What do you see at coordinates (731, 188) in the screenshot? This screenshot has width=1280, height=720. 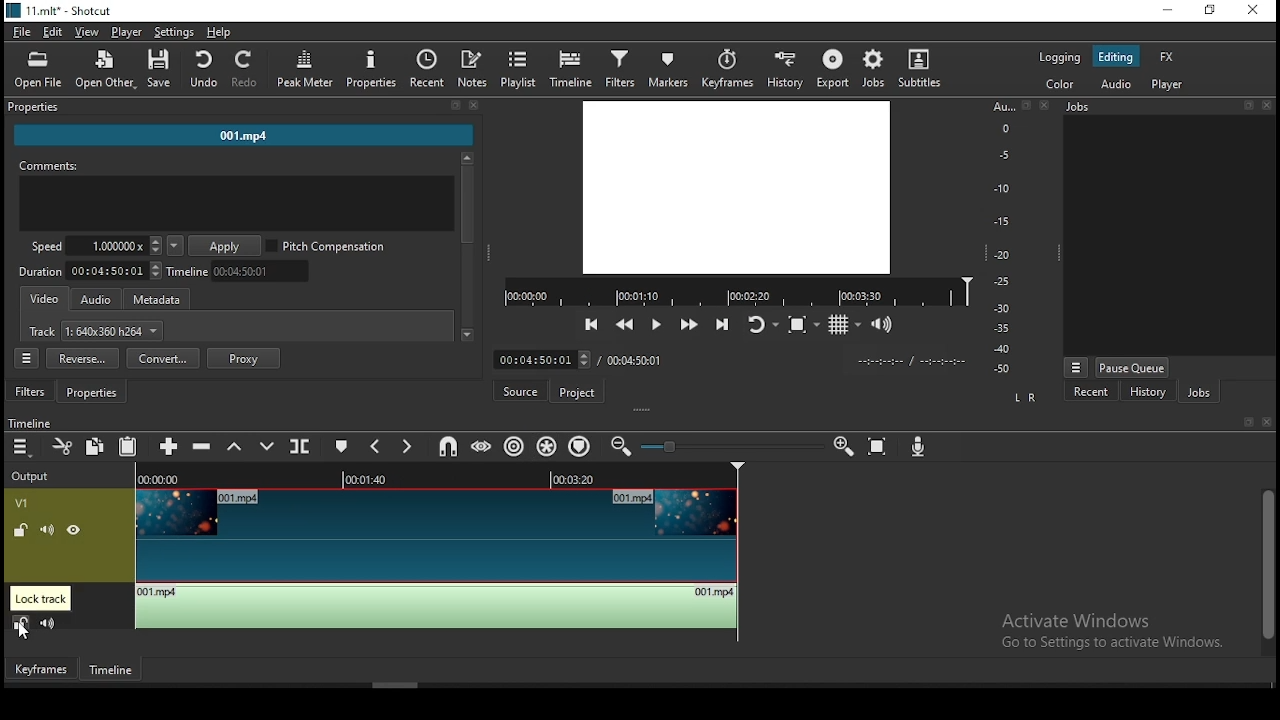 I see `video preview` at bounding box center [731, 188].